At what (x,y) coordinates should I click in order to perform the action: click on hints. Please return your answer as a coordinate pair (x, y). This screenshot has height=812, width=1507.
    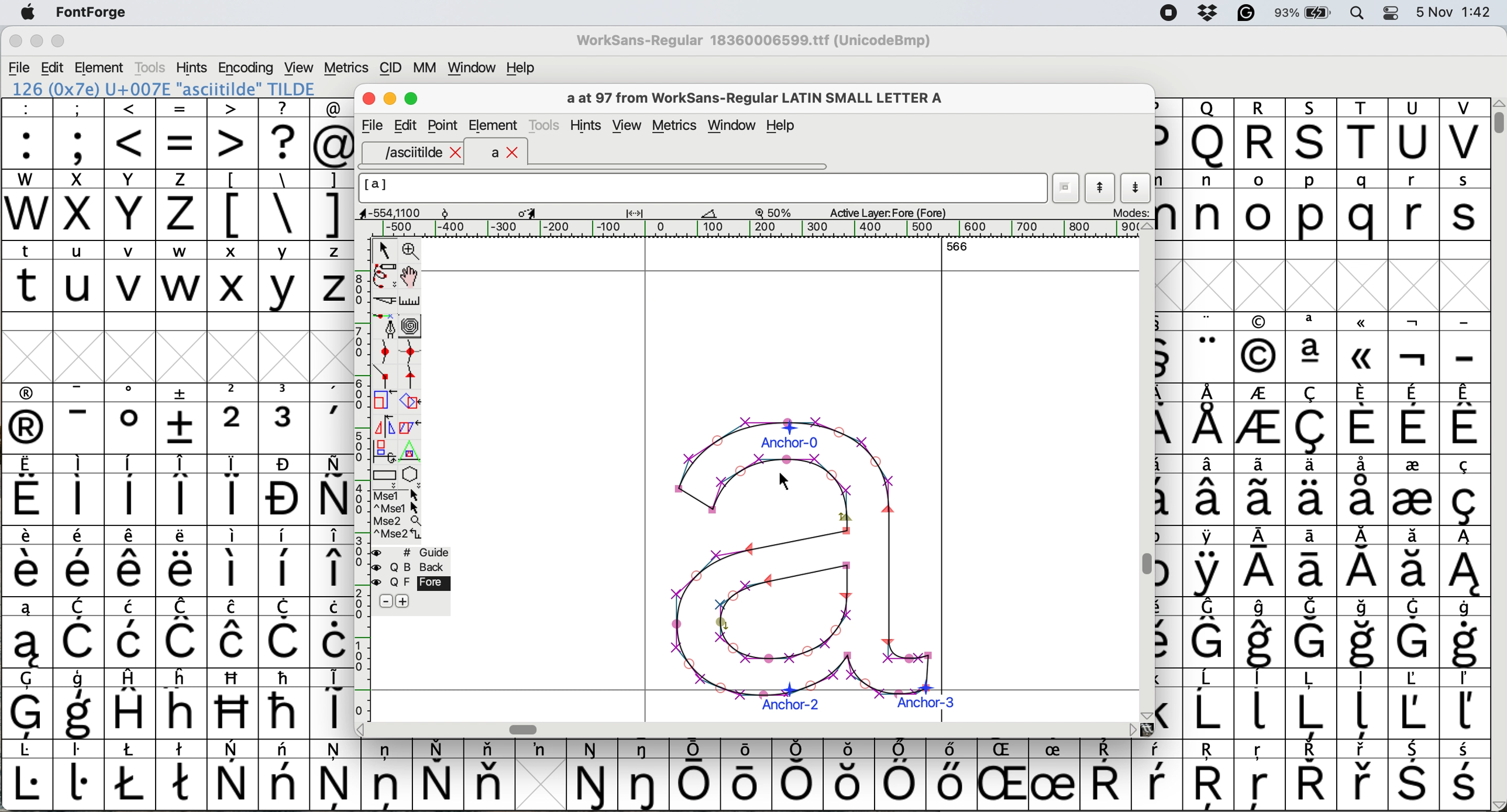
    Looking at the image, I should click on (588, 126).